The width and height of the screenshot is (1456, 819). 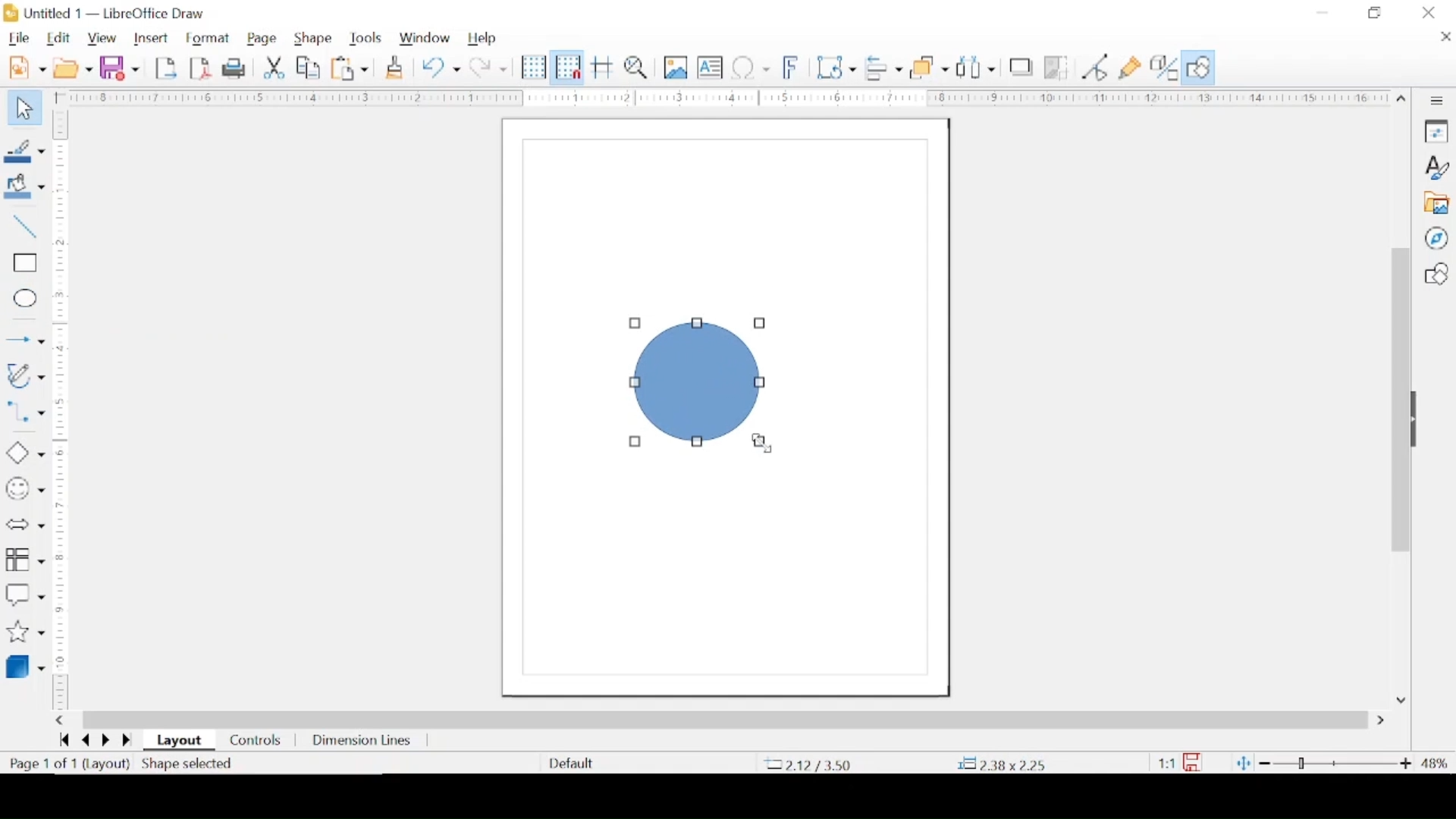 I want to click on scroll down arrow, so click(x=1398, y=700).